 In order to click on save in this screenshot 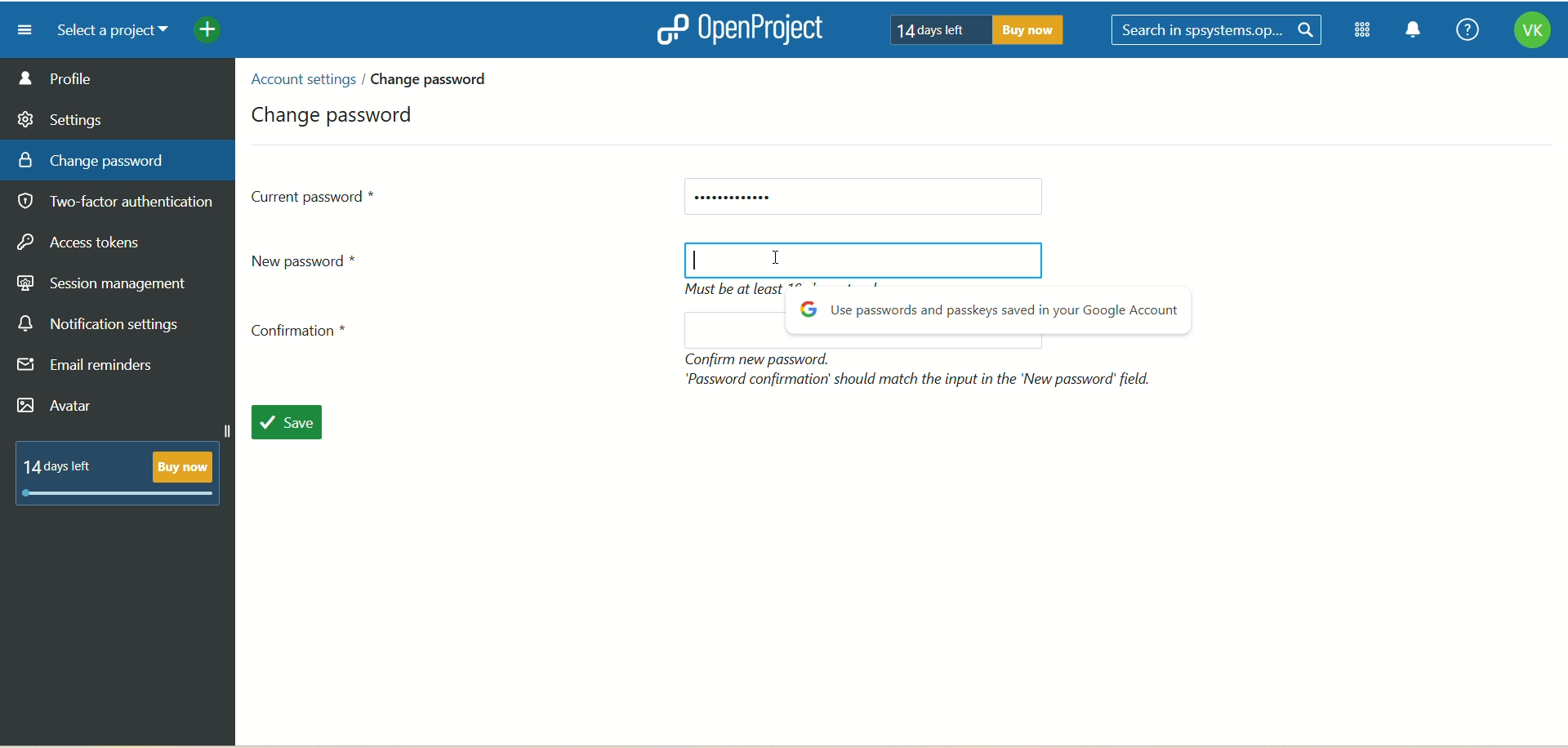, I will do `click(296, 425)`.